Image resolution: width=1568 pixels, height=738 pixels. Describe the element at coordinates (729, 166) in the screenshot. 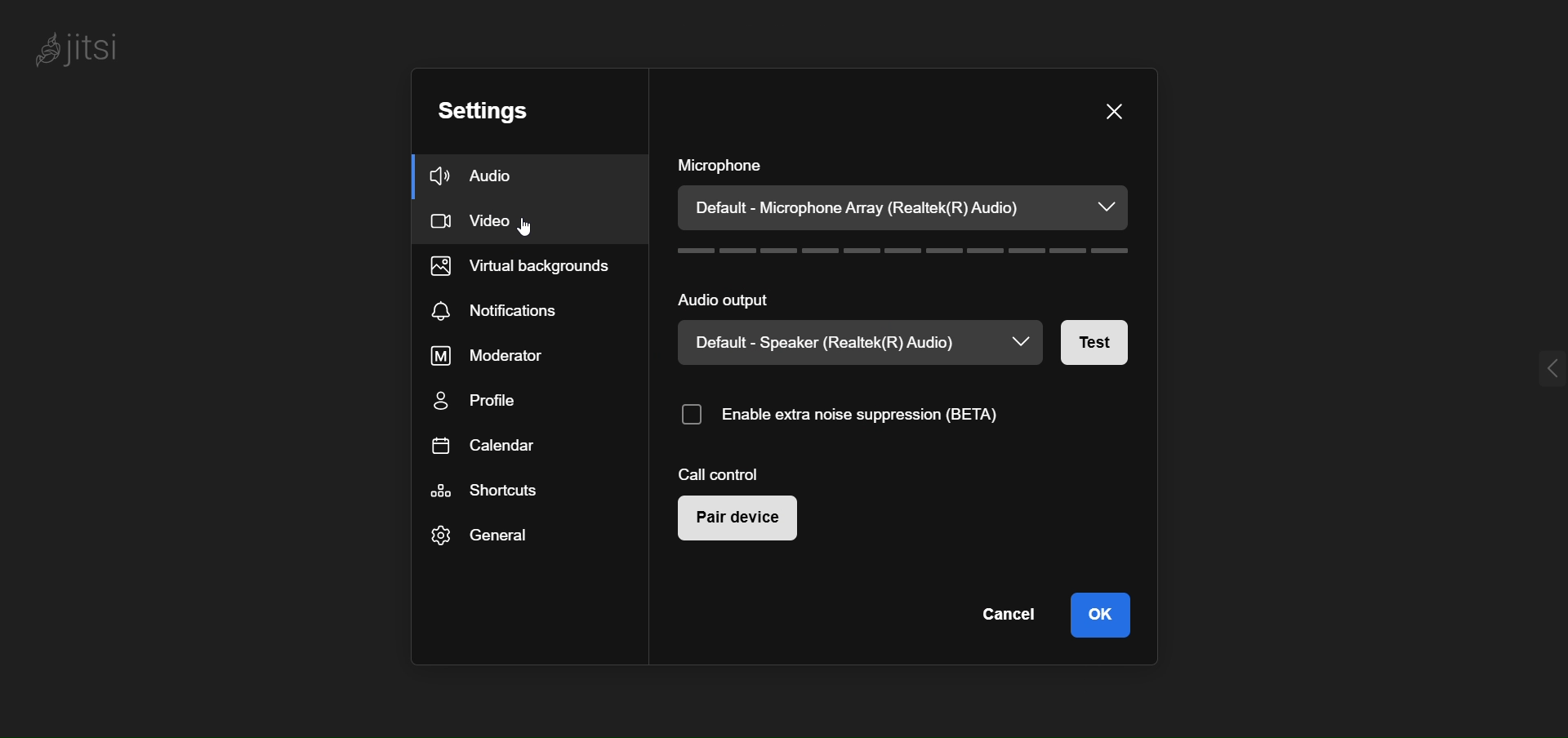

I see `microphone` at that location.